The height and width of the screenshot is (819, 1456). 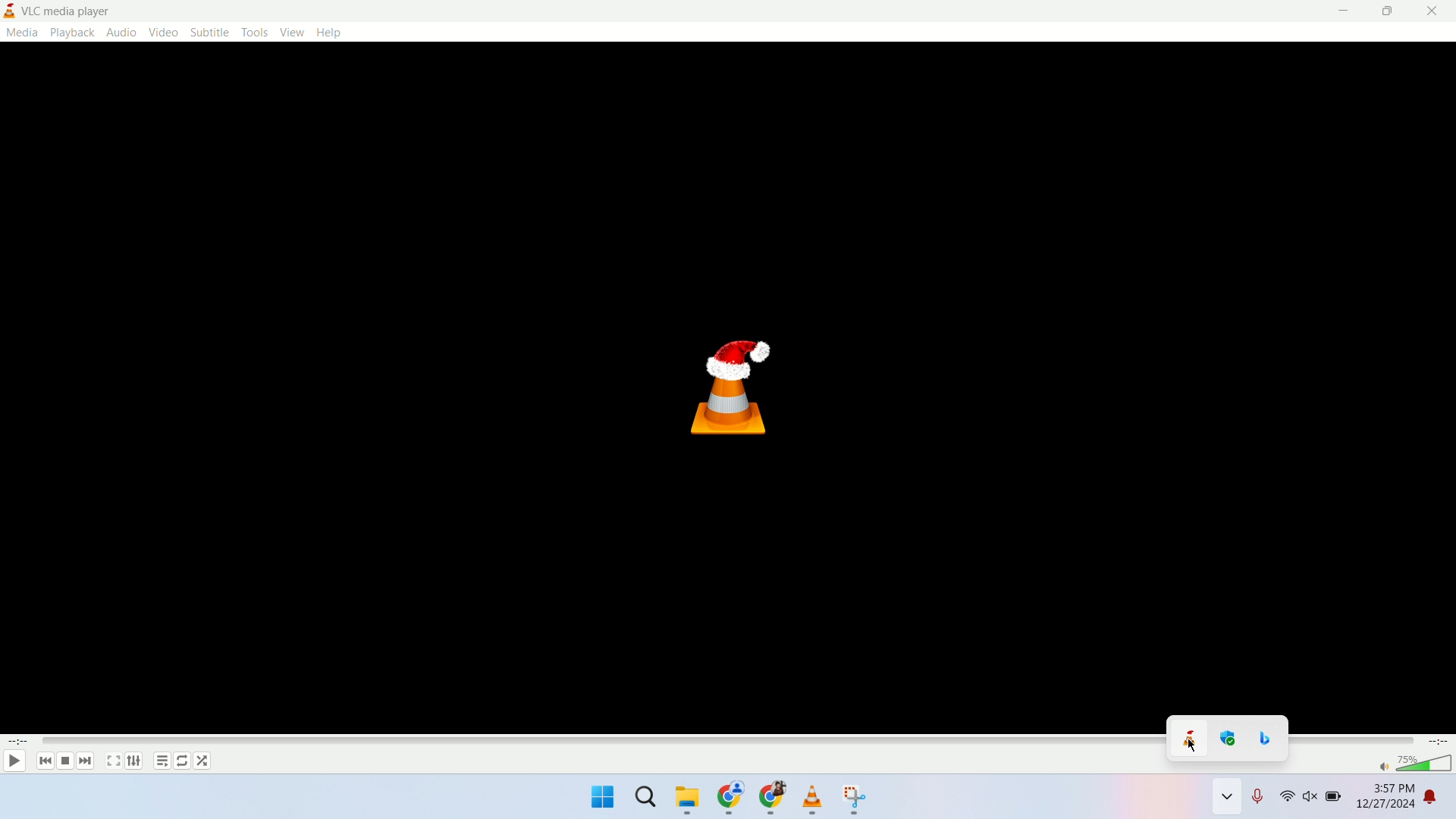 I want to click on toggle loop, so click(x=183, y=761).